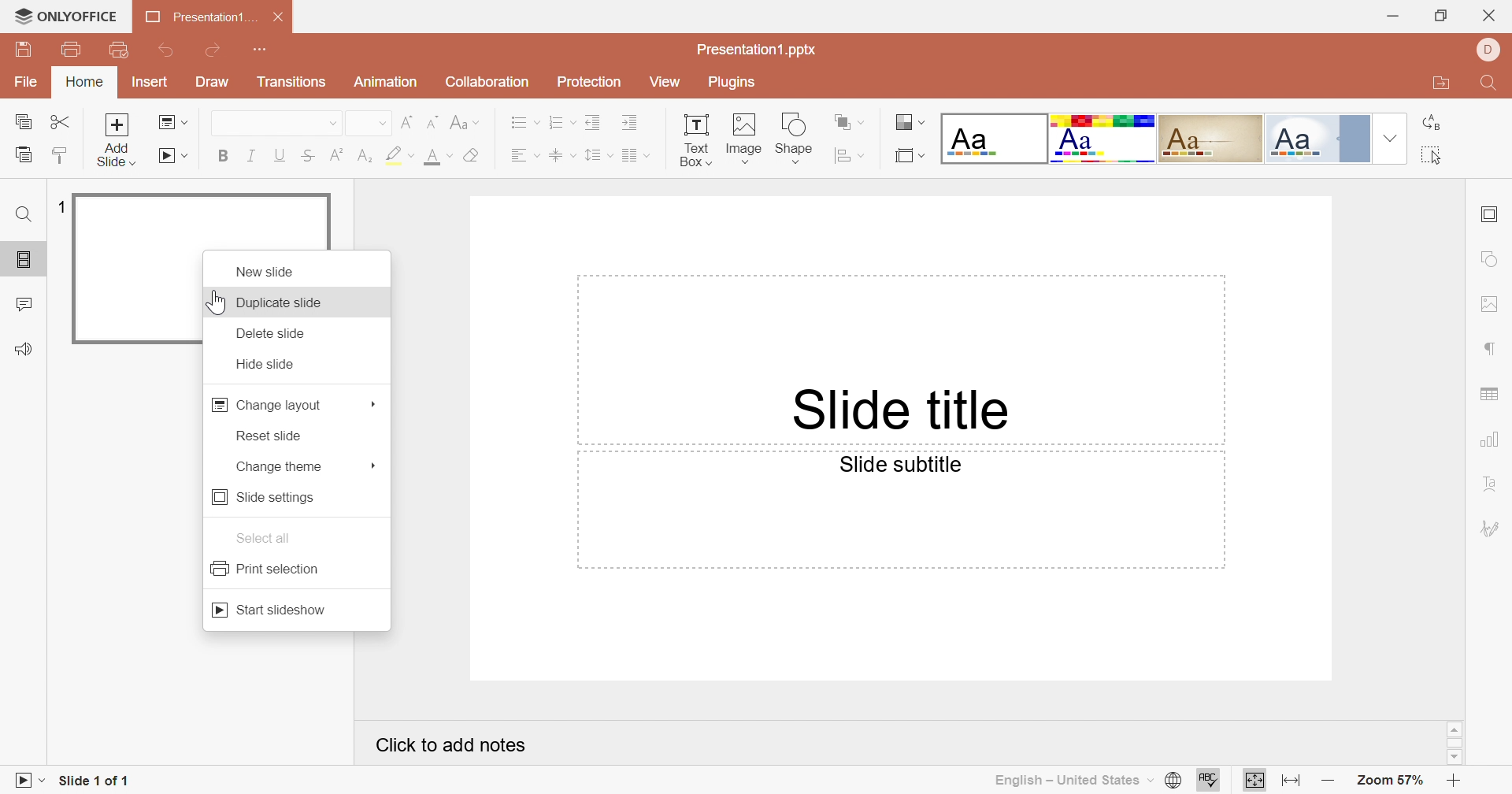  Describe the element at coordinates (272, 435) in the screenshot. I see `Reset slide` at that location.